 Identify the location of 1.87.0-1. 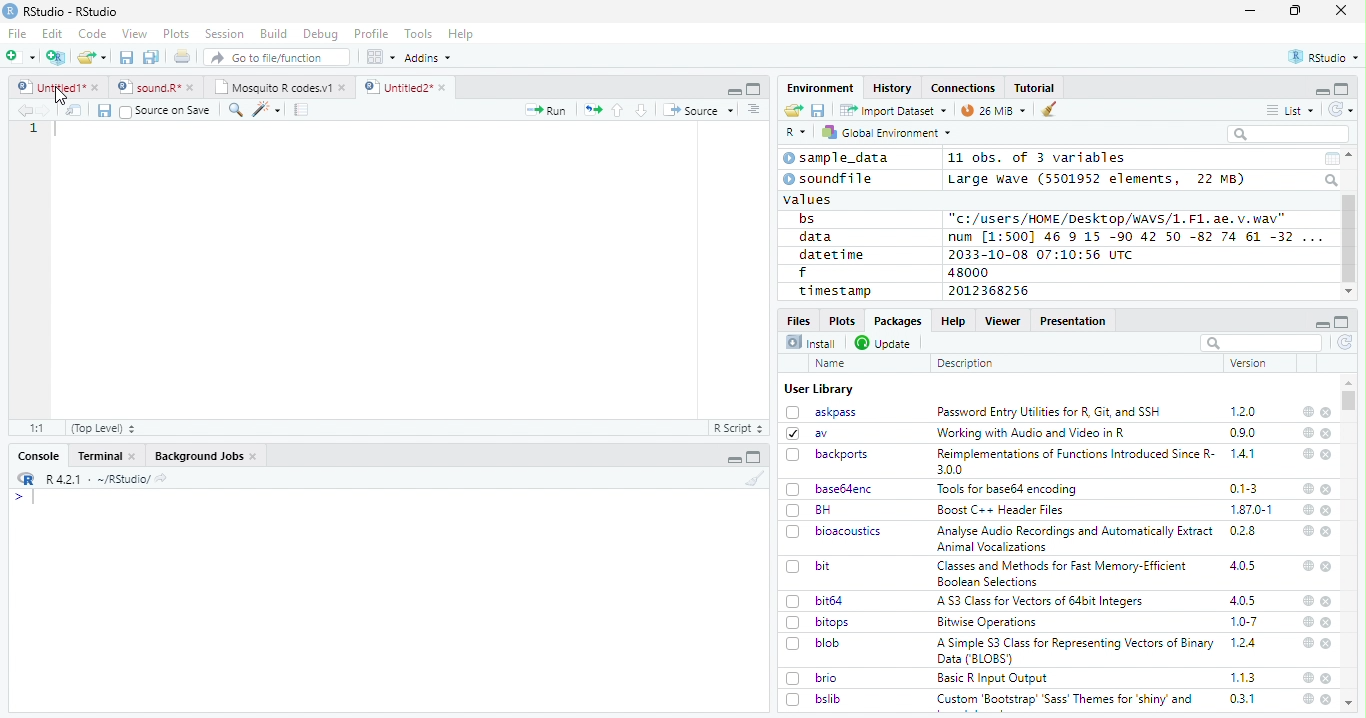
(1251, 510).